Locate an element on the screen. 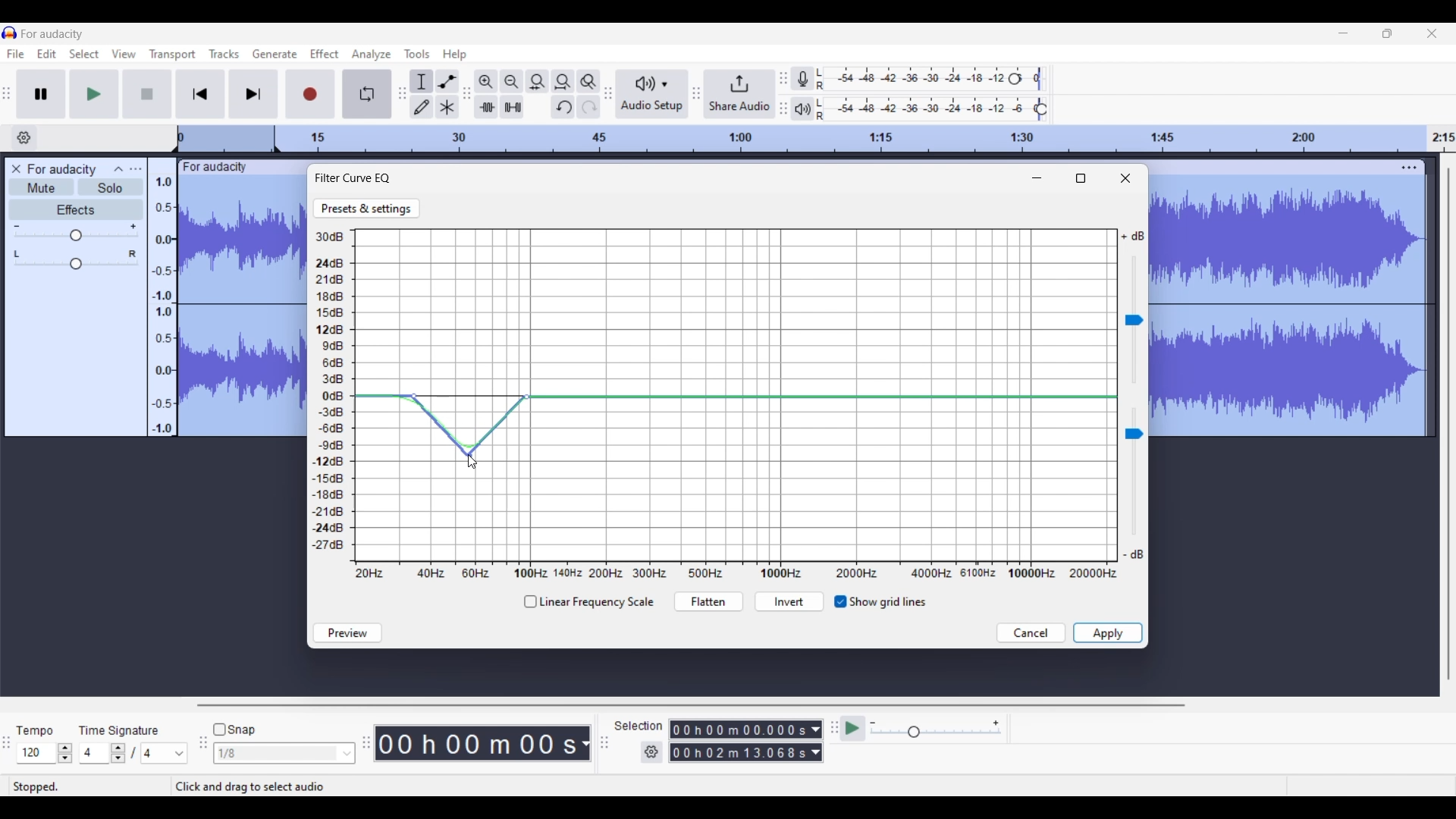 This screenshot has height=819, width=1456. Change playback speed is located at coordinates (935, 733).